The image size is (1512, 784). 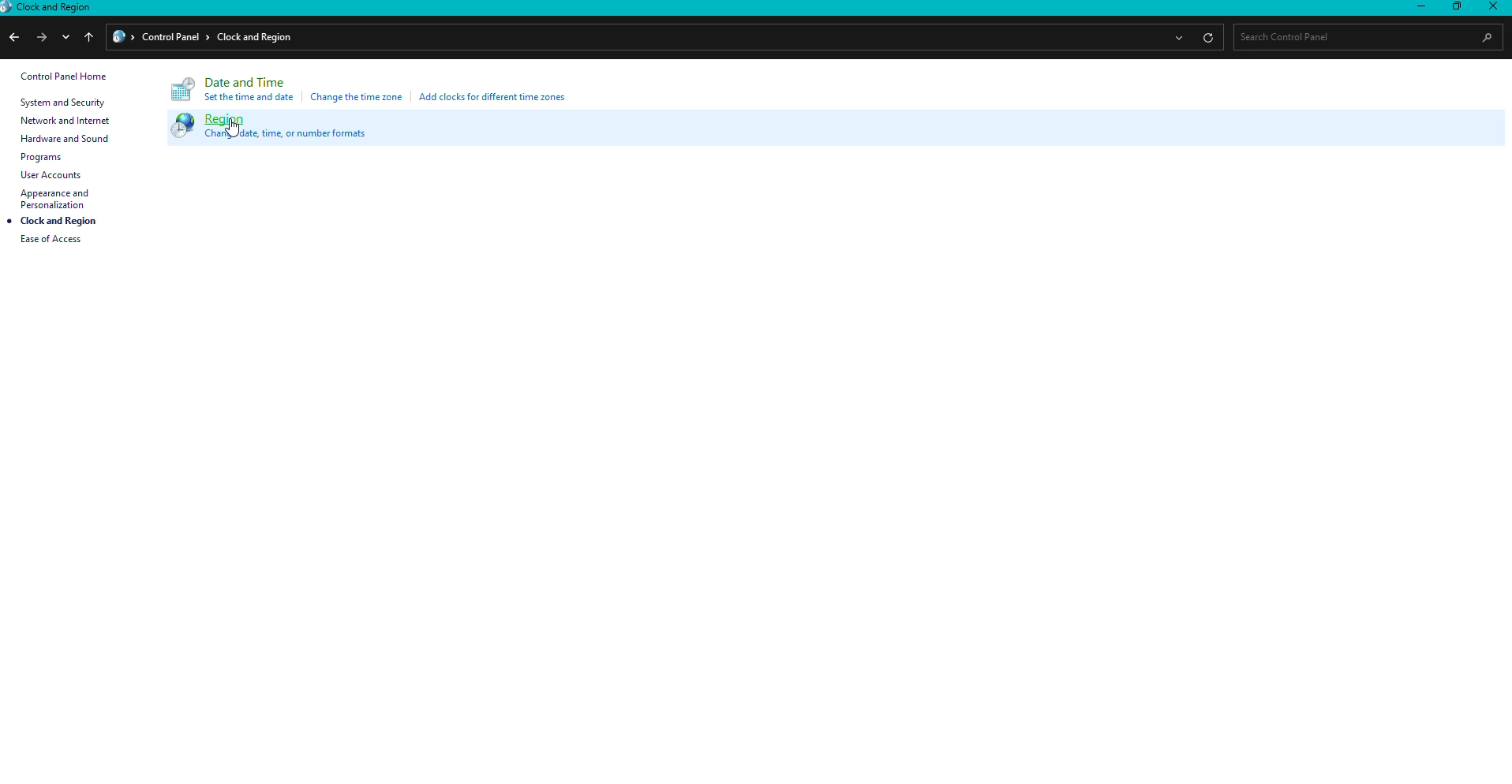 What do you see at coordinates (357, 98) in the screenshot?
I see `Change time zone` at bounding box center [357, 98].